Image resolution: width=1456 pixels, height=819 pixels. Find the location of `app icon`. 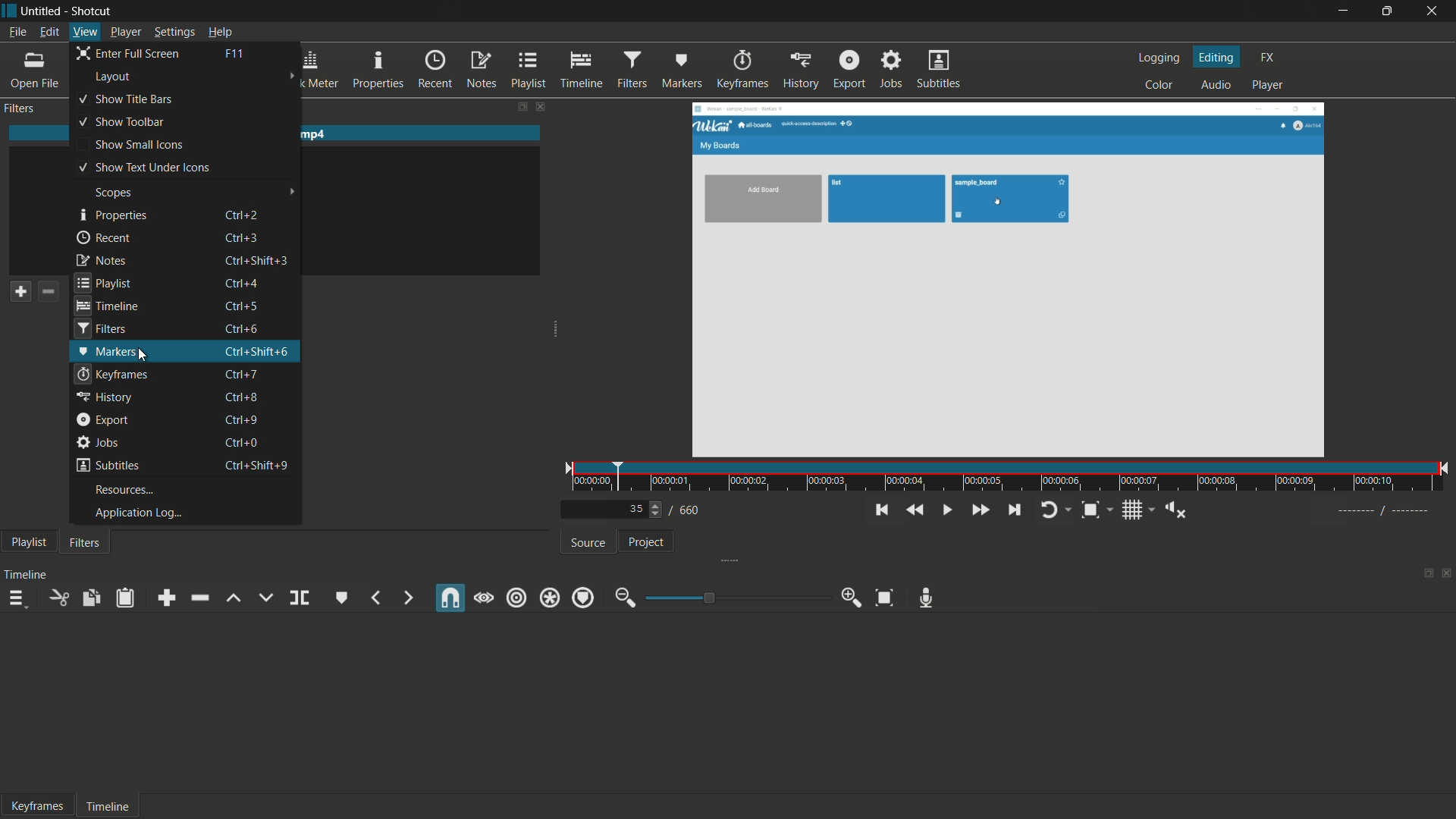

app icon is located at coordinates (9, 10).